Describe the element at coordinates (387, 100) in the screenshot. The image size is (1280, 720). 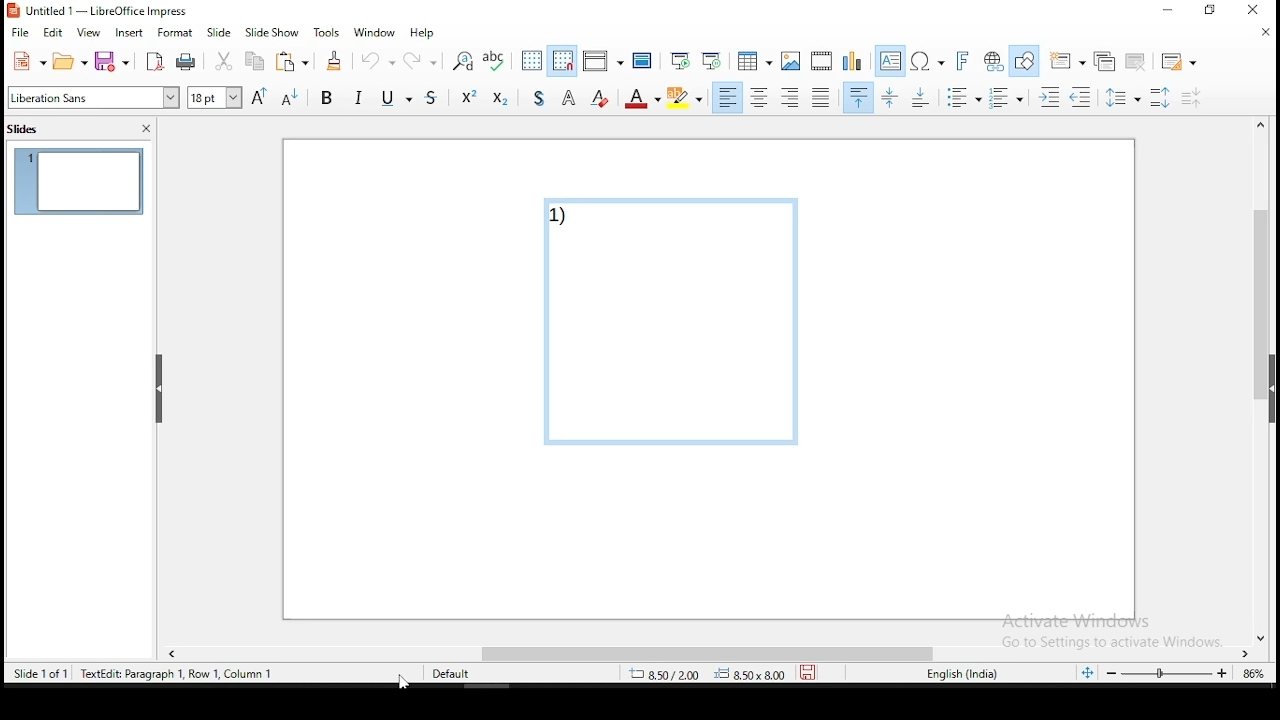
I see `underline` at that location.